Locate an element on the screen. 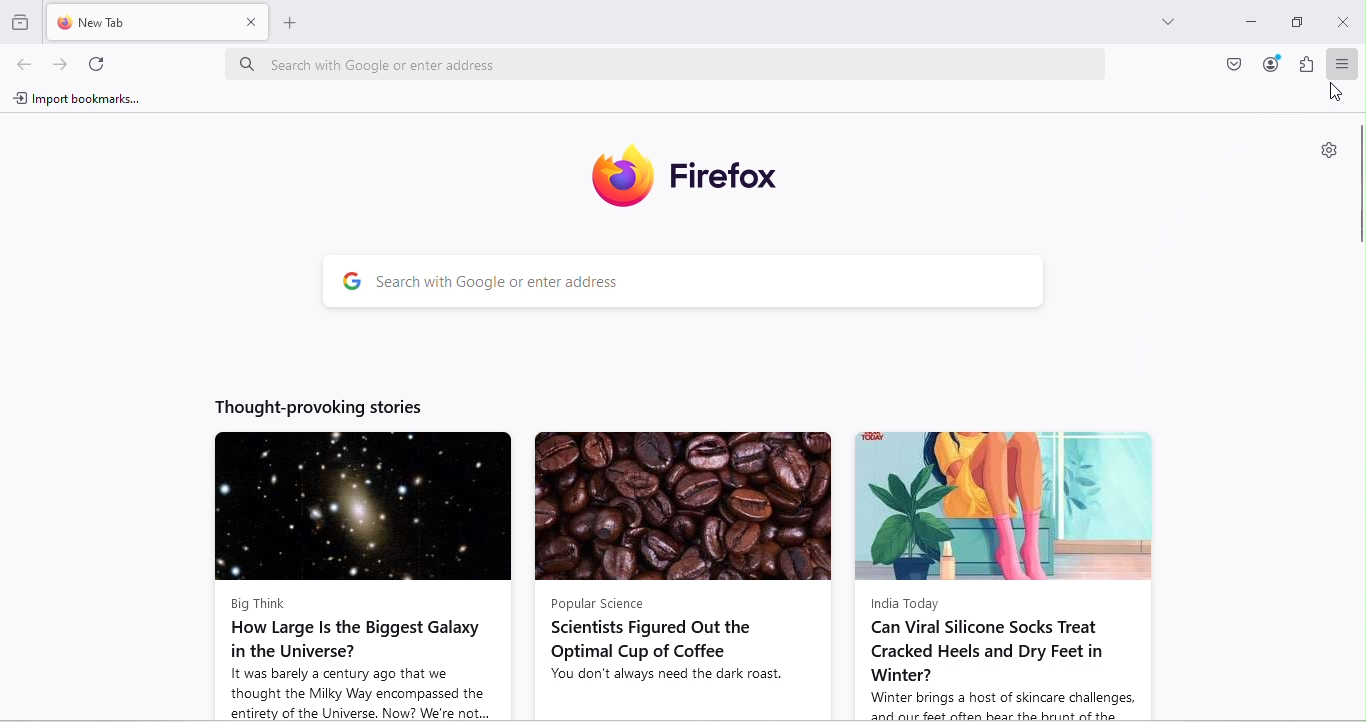 Image resolution: width=1366 pixels, height=722 pixels. Account is located at coordinates (1272, 65).